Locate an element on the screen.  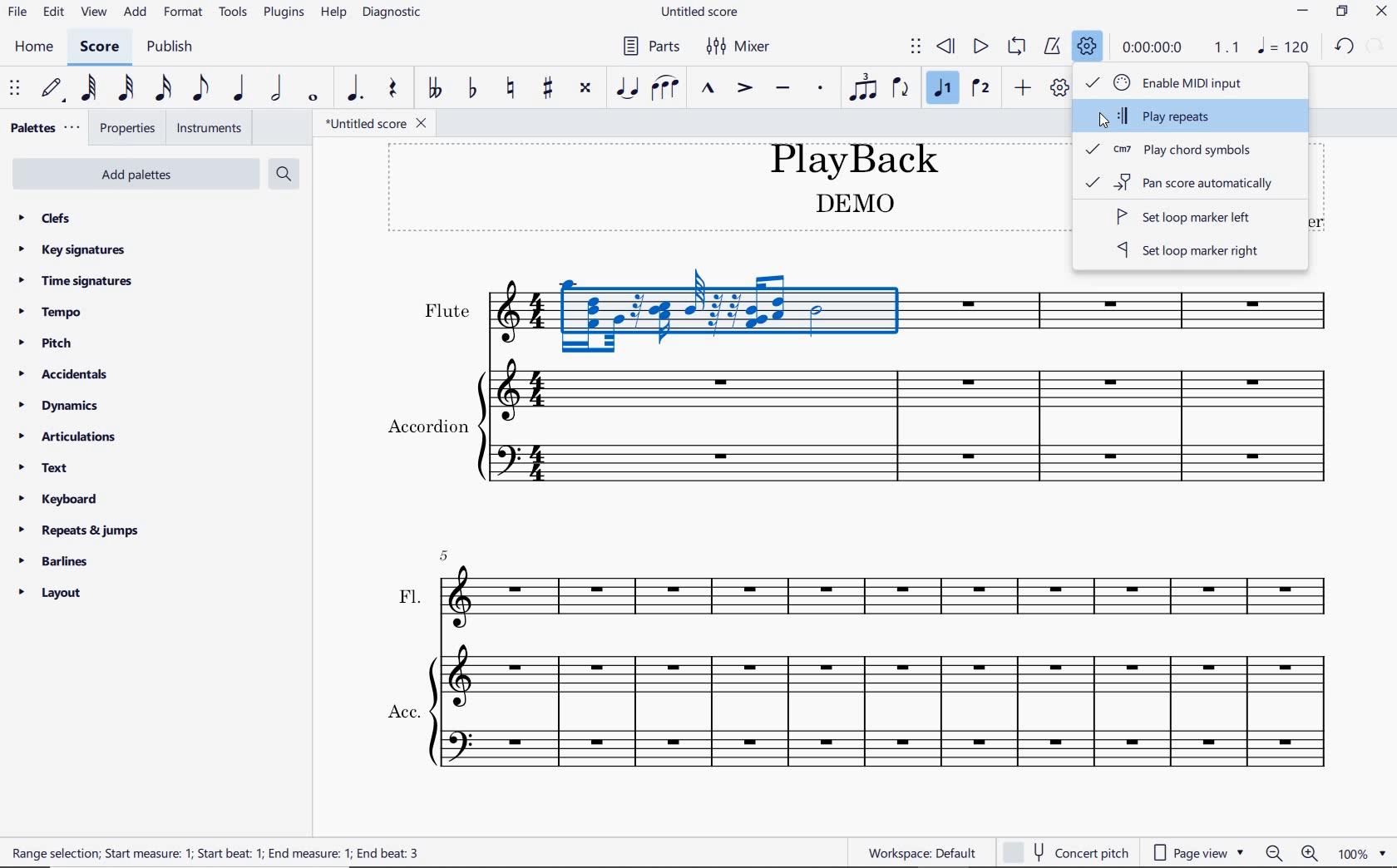
diagnostic is located at coordinates (392, 12).